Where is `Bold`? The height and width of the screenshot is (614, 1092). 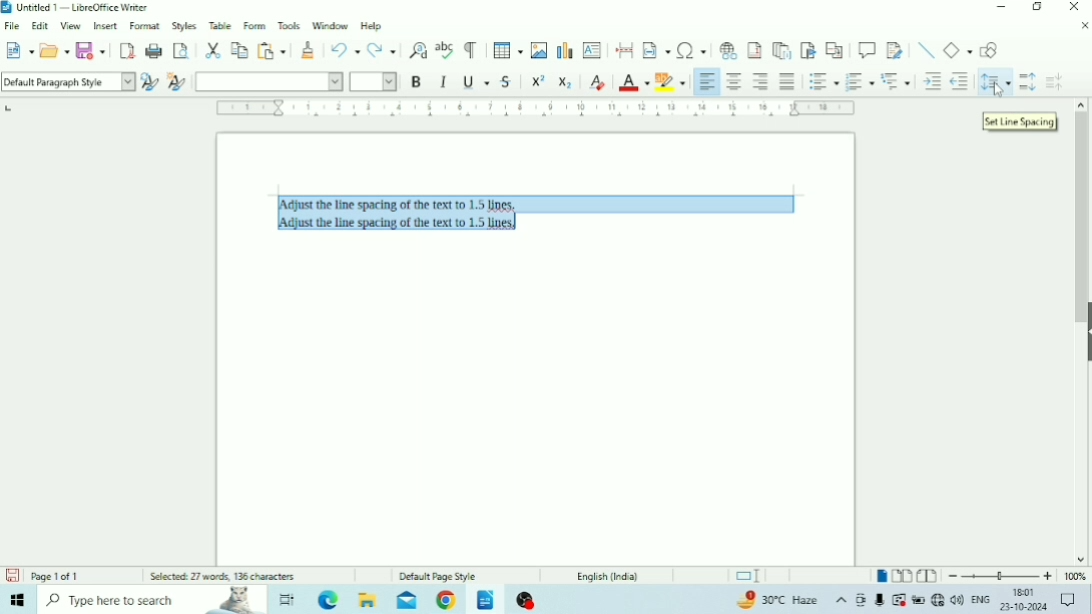
Bold is located at coordinates (417, 82).